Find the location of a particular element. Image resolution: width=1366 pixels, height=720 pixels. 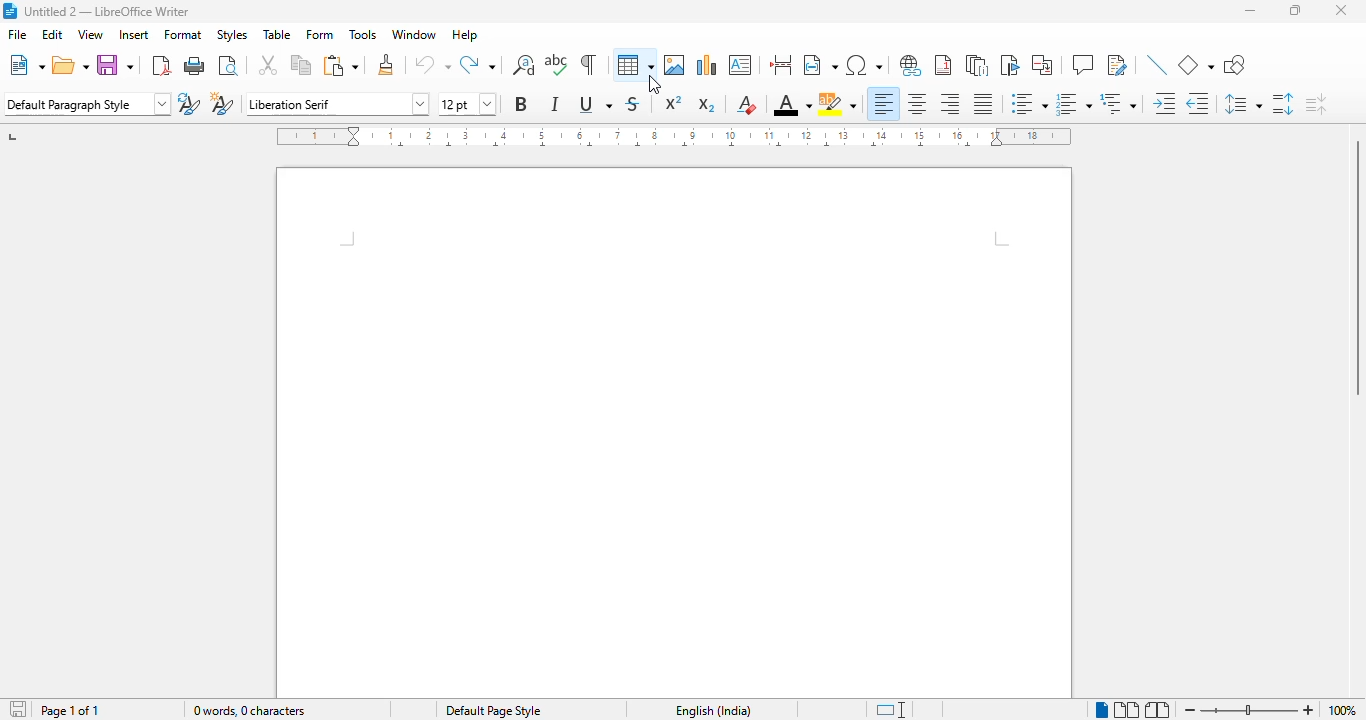

insert is located at coordinates (134, 34).